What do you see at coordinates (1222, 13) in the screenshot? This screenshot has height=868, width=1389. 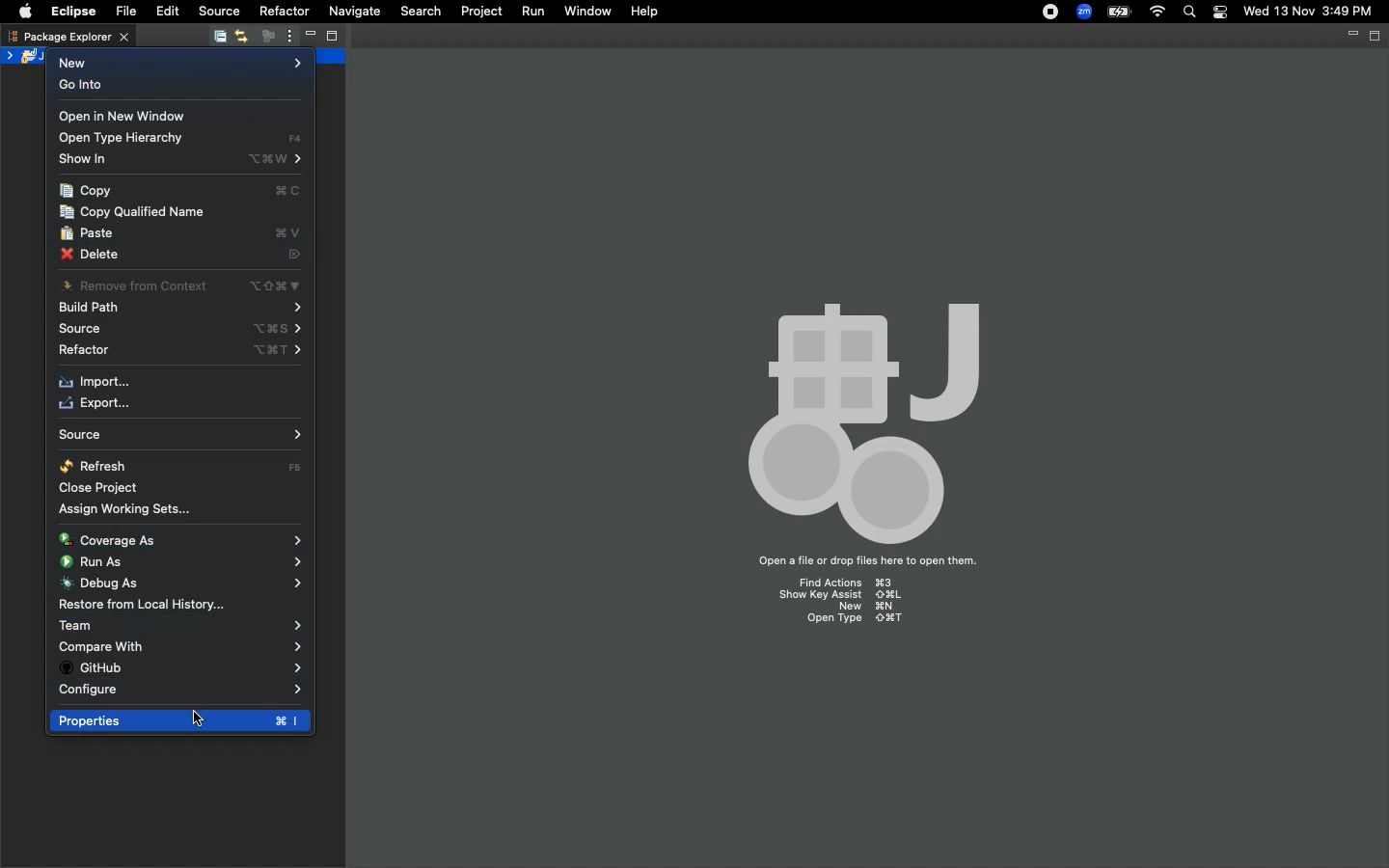 I see `Notification` at bounding box center [1222, 13].